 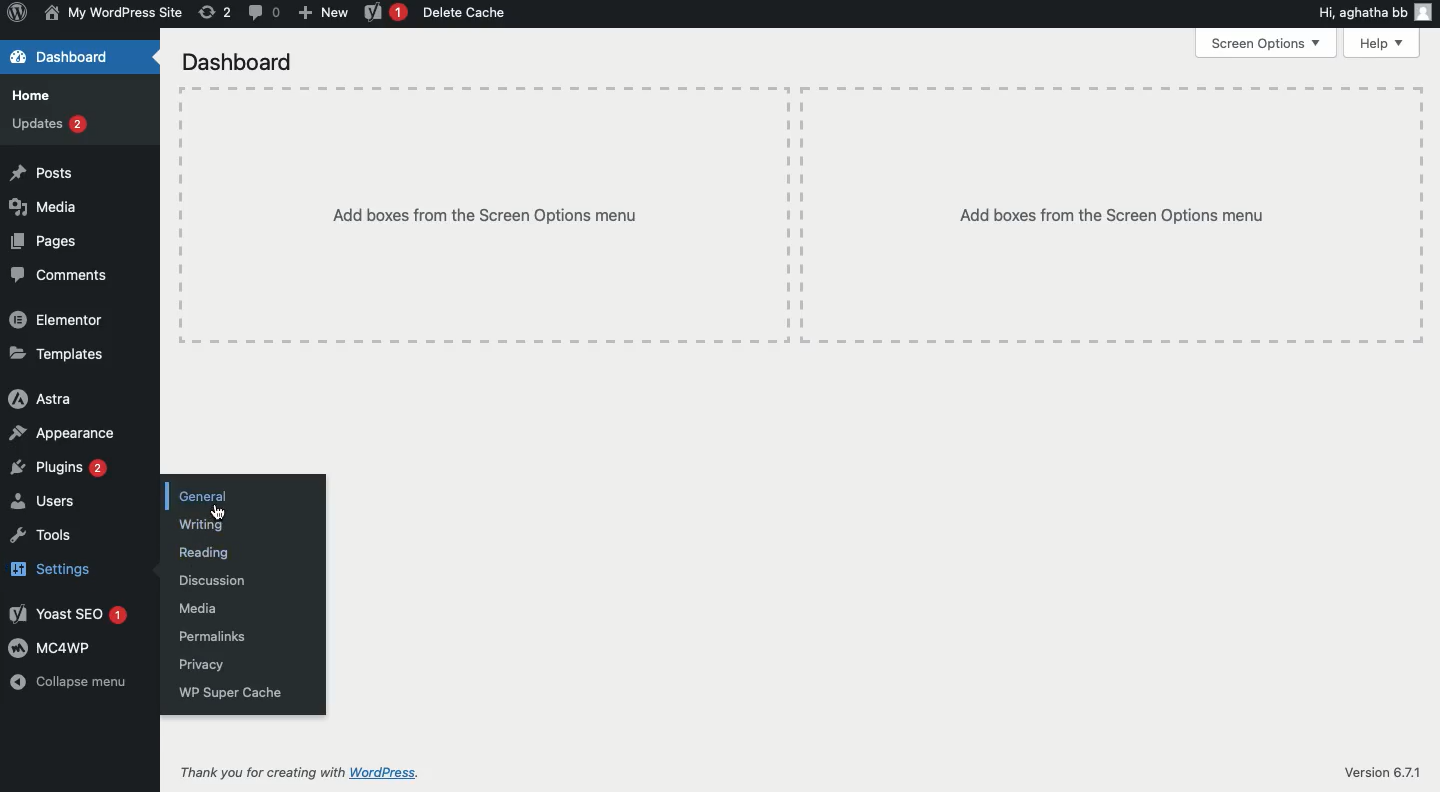 I want to click on Wordpress, so click(x=402, y=767).